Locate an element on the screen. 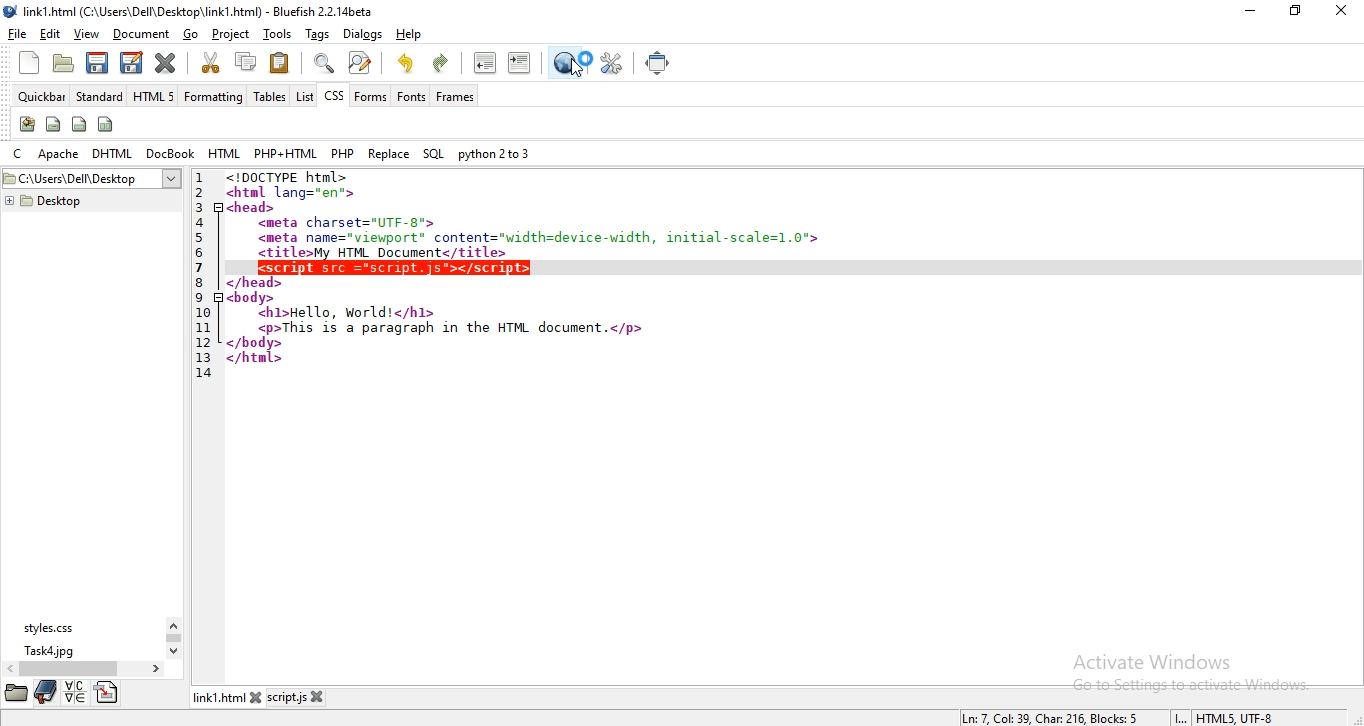 The height and width of the screenshot is (726, 1364). desktop is located at coordinates (93, 179).